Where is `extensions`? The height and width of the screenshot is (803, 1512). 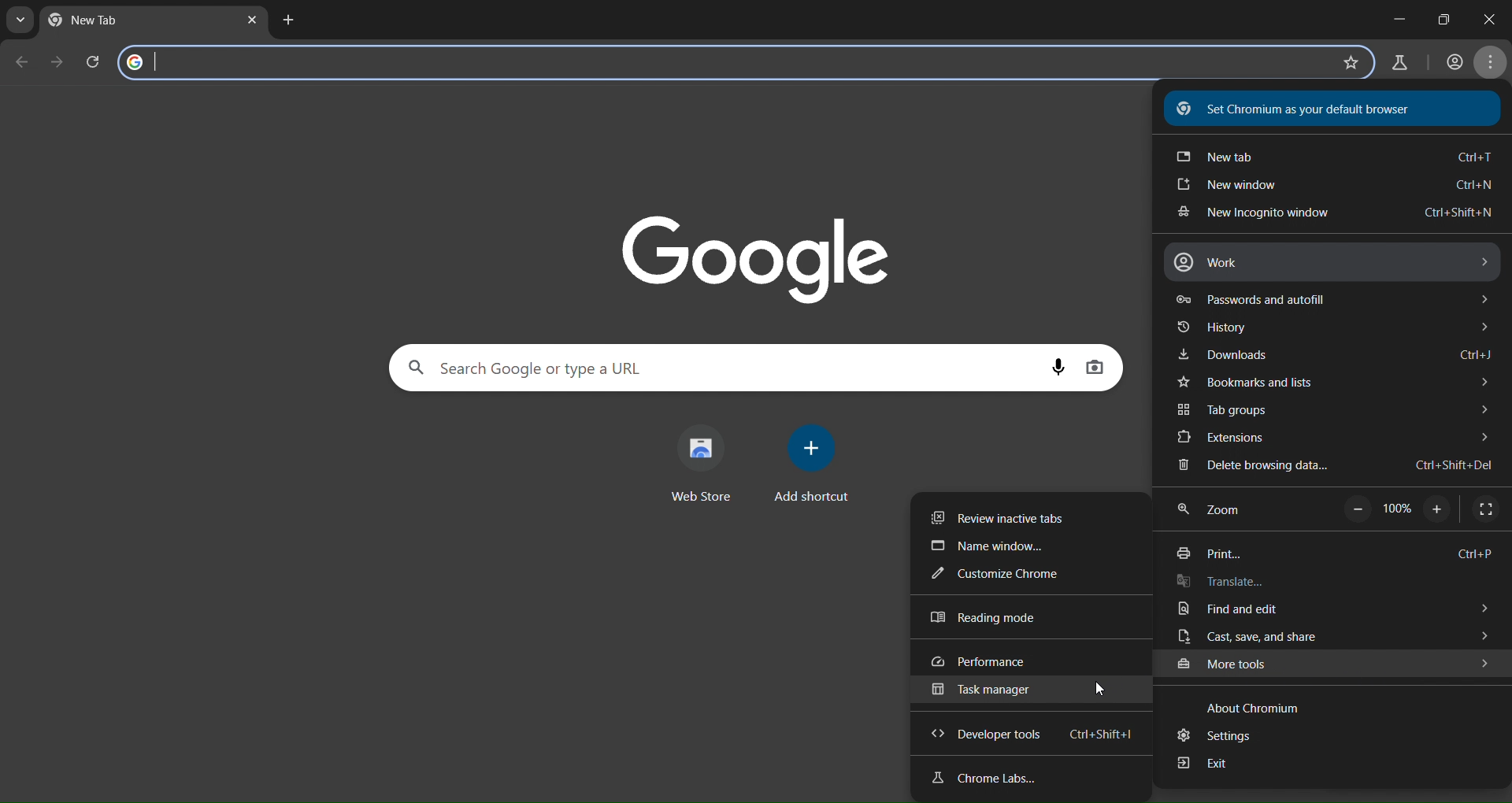 extensions is located at coordinates (1335, 438).